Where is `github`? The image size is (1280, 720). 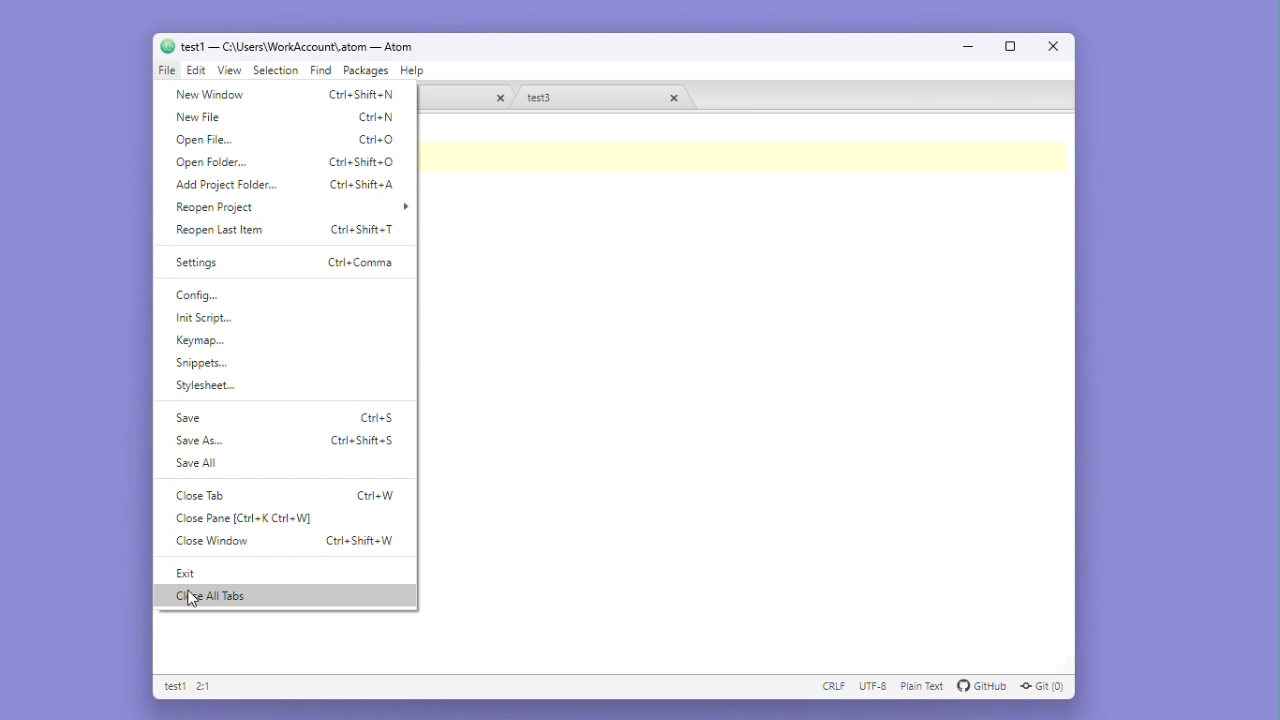
github is located at coordinates (986, 686).